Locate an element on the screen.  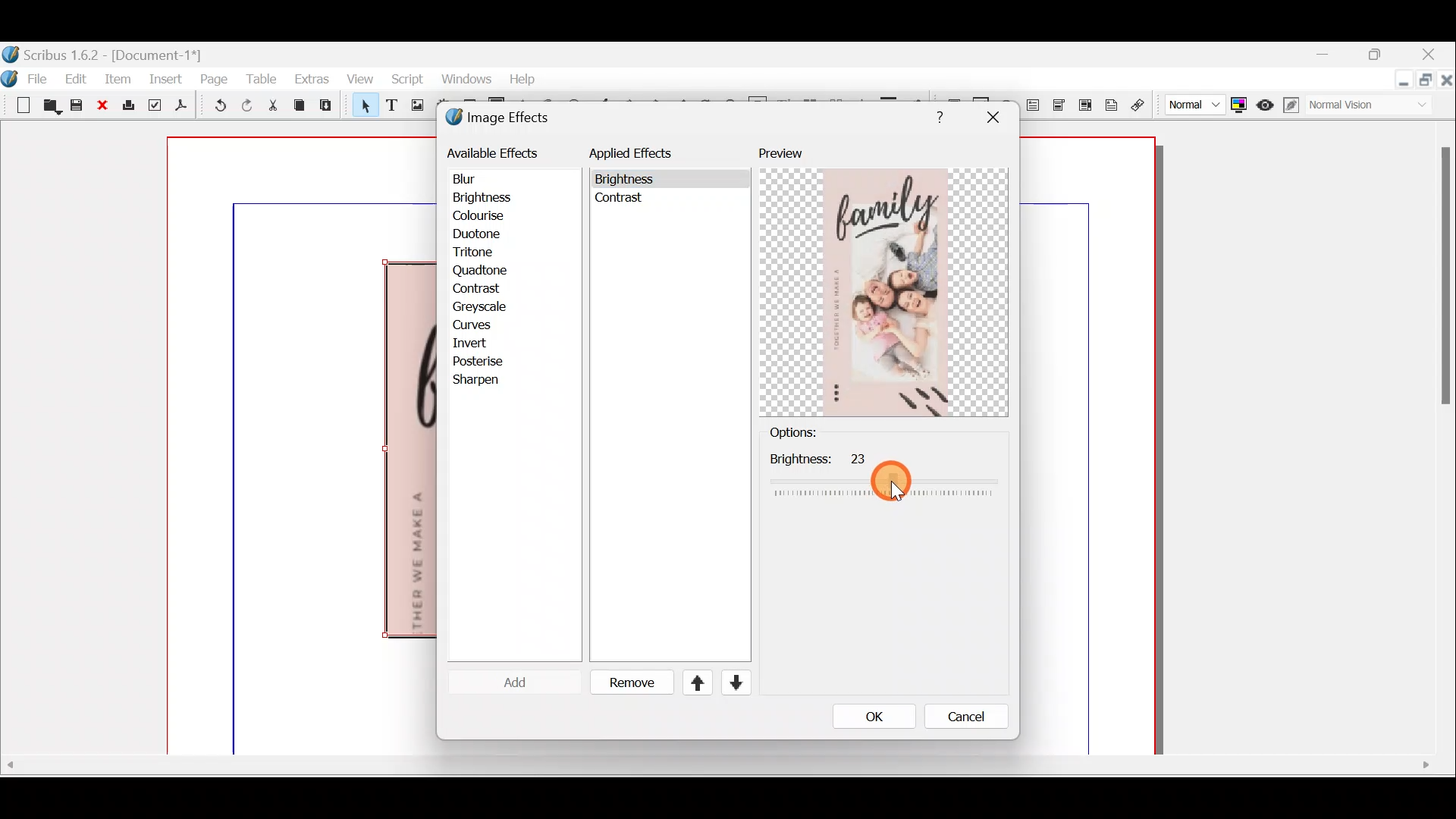
Move down is located at coordinates (734, 682).